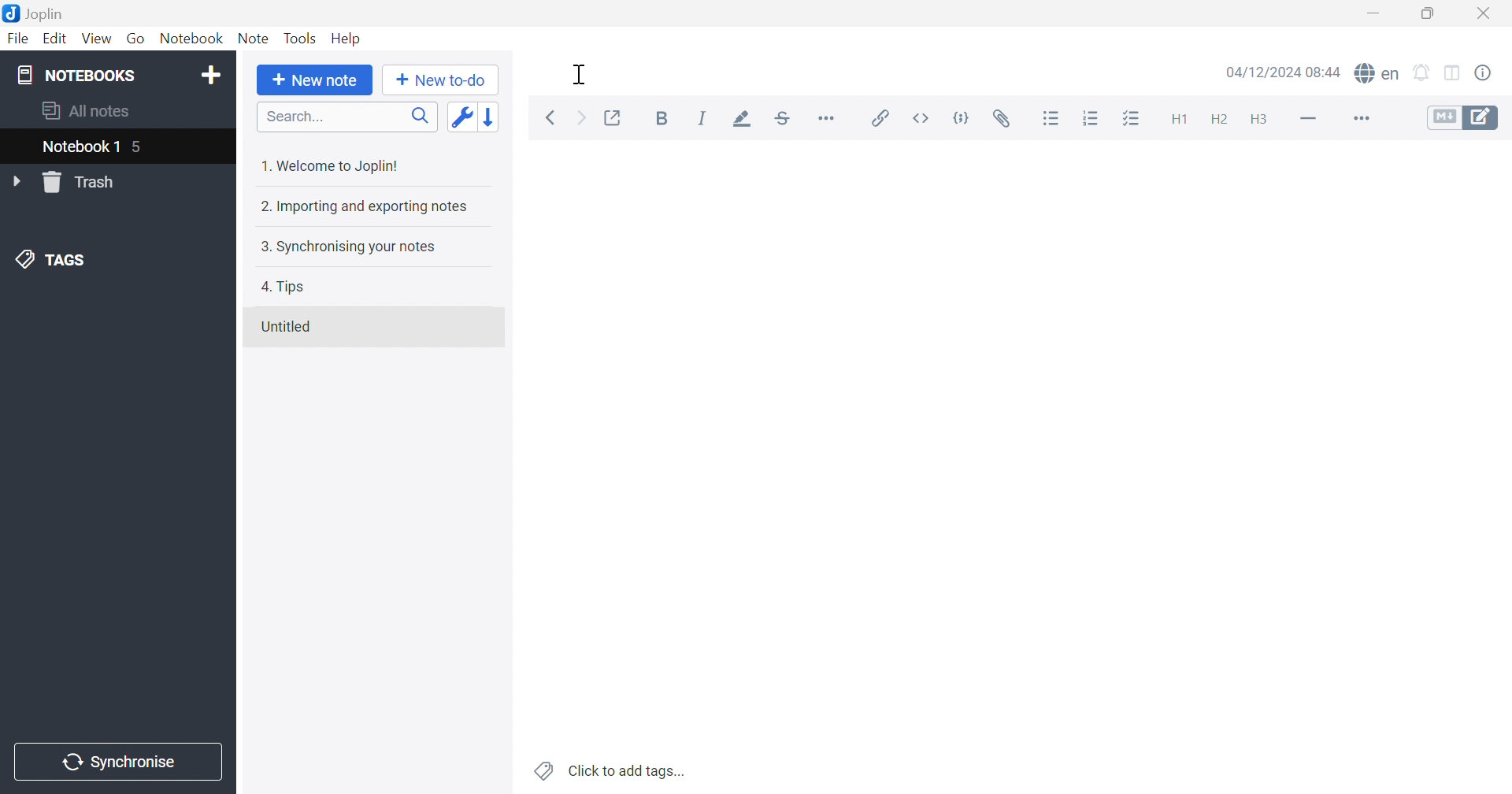 The image size is (1512, 794). What do you see at coordinates (361, 208) in the screenshot?
I see `2. Importing and exporting notes` at bounding box center [361, 208].